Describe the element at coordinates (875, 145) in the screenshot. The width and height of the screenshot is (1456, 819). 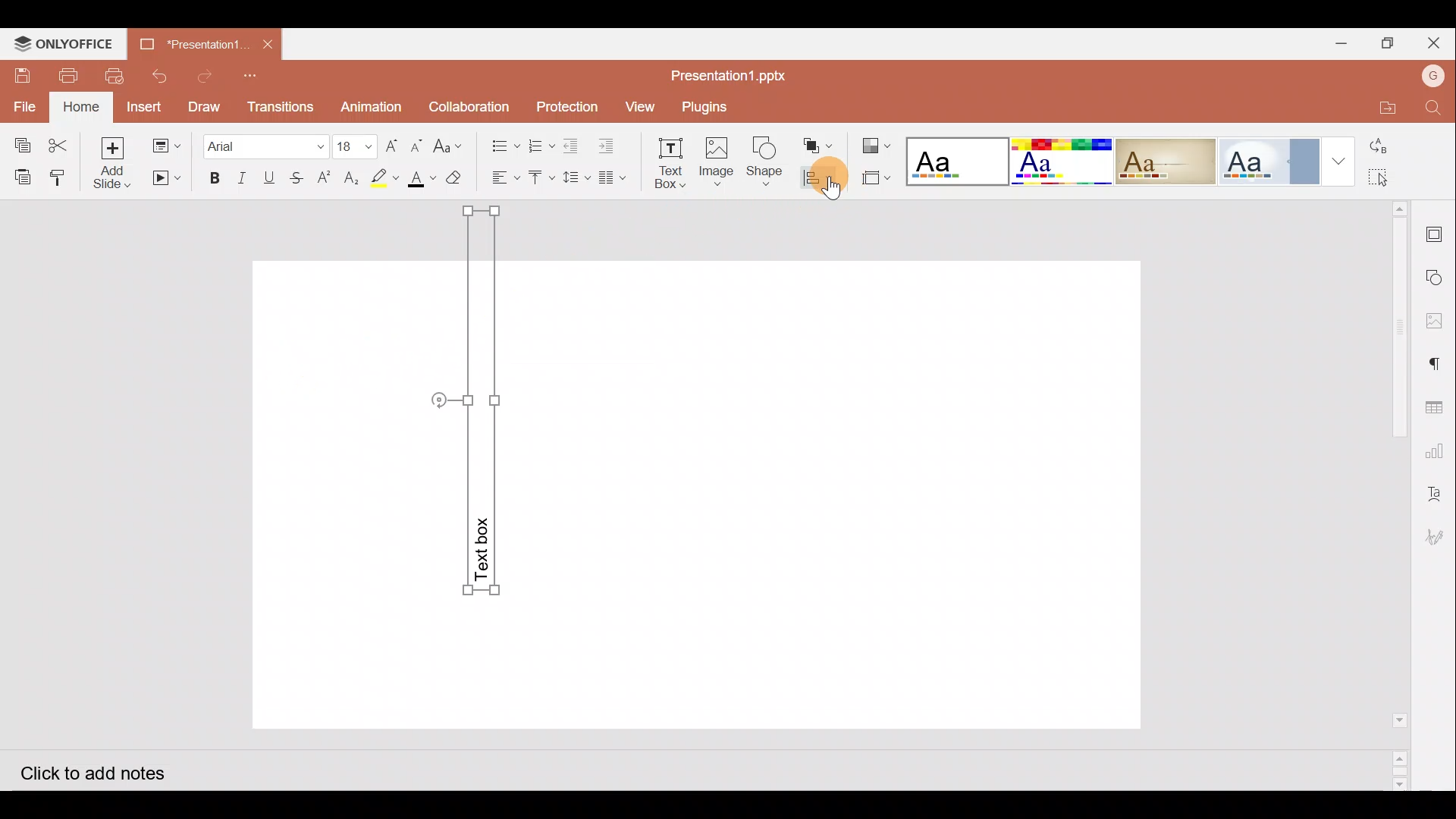
I see `Change color theme` at that location.